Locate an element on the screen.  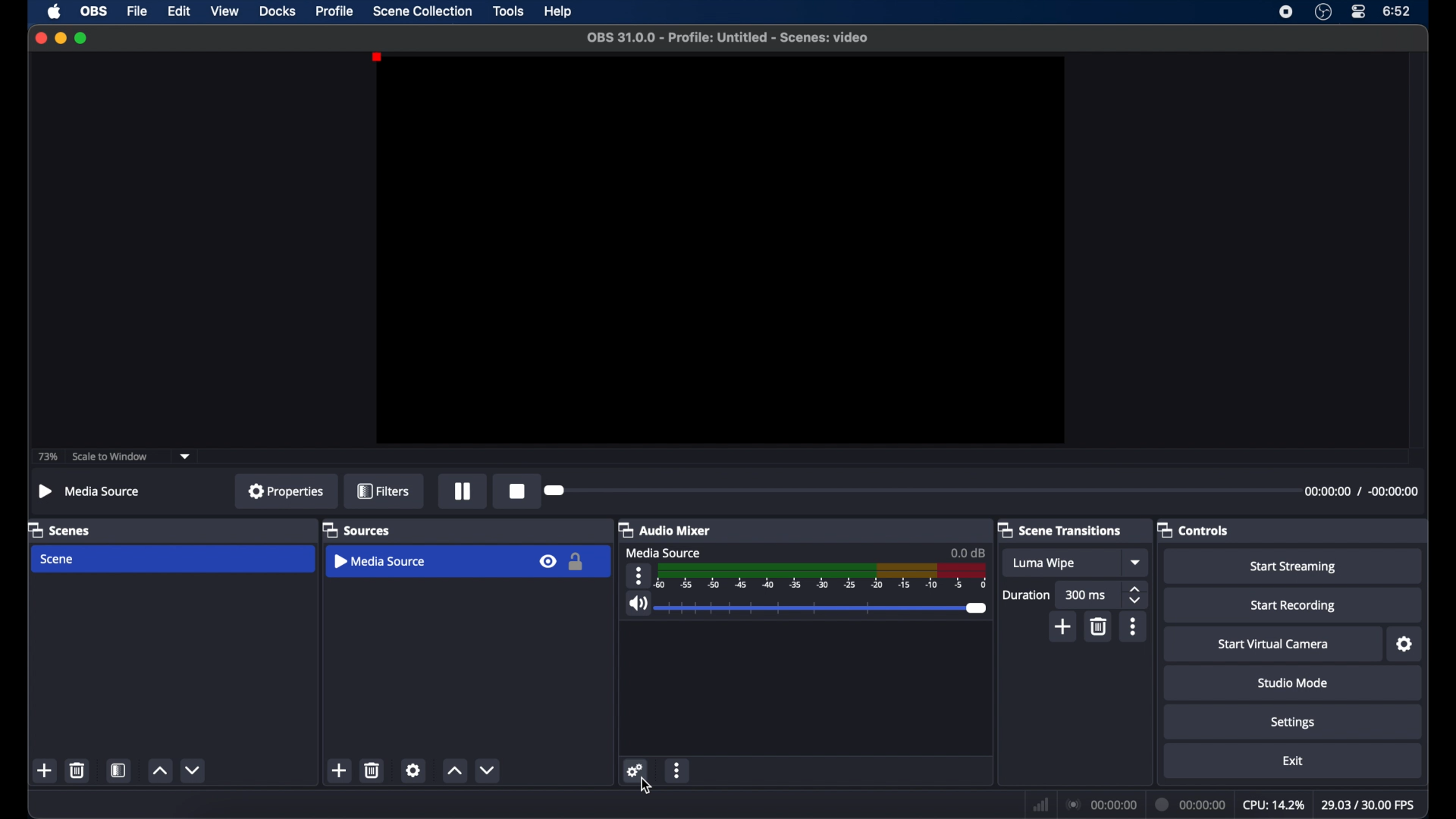
dropdown is located at coordinates (1137, 562).